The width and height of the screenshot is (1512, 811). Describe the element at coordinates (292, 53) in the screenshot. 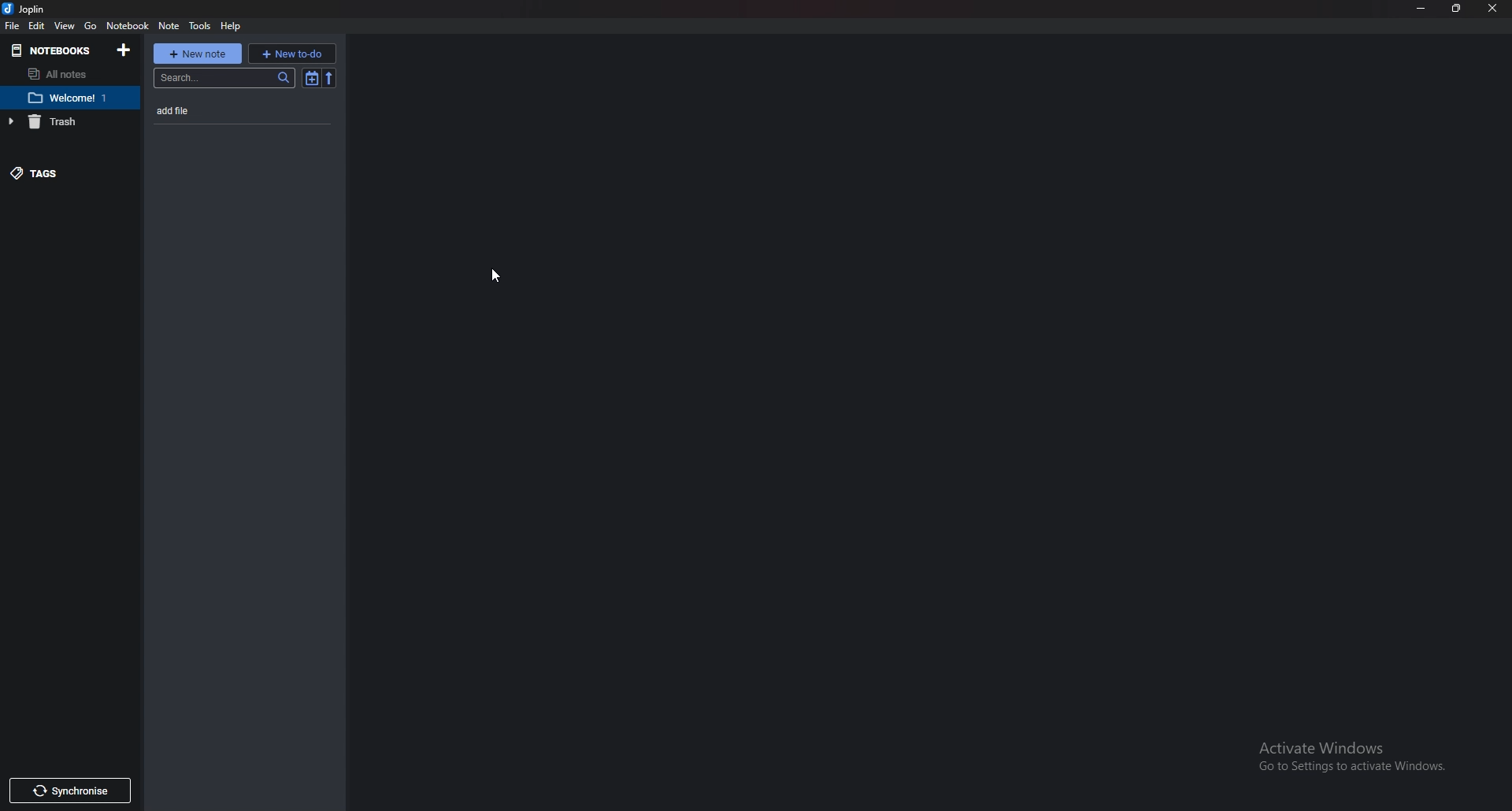

I see `New to do` at that location.